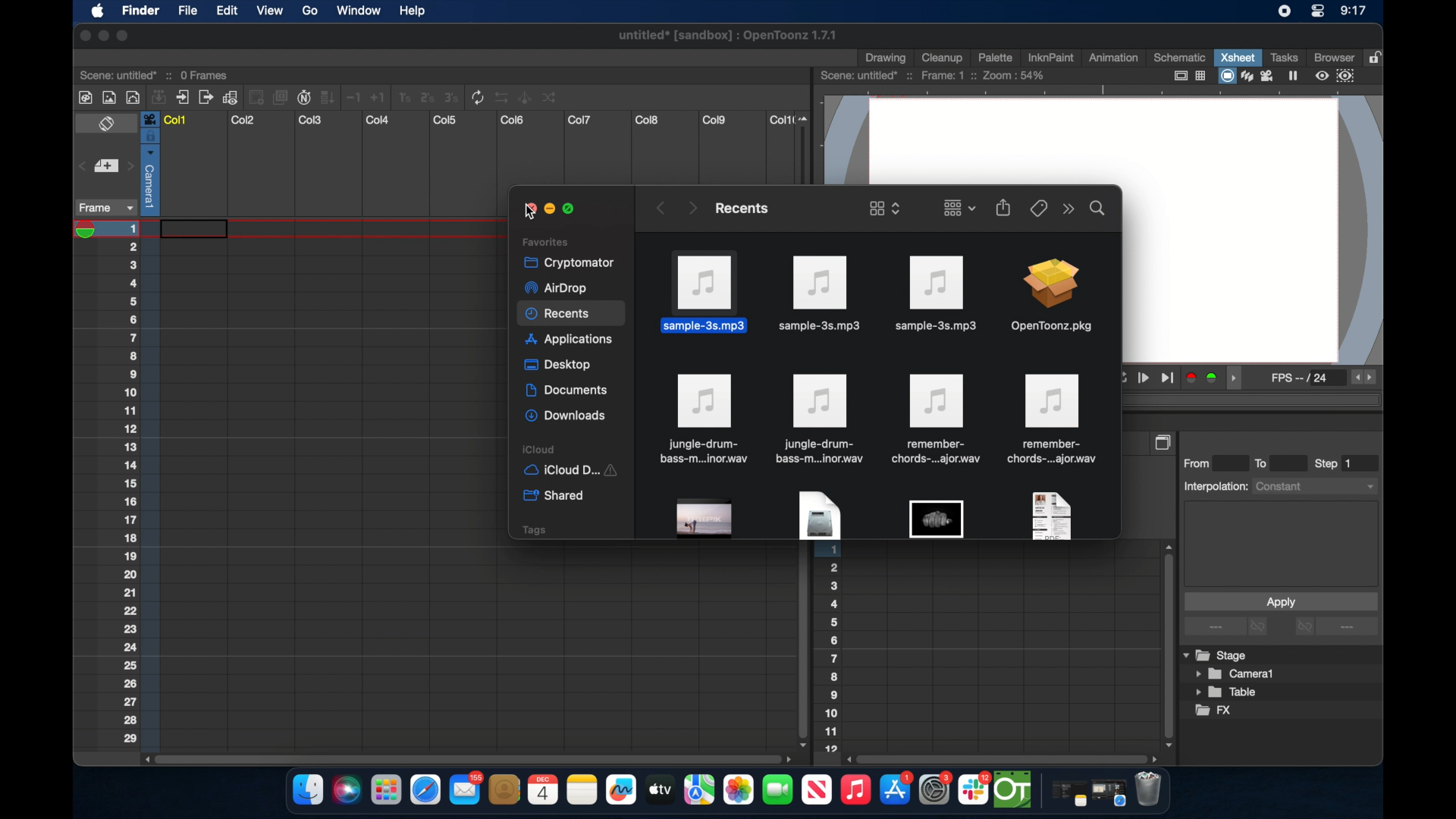  I want to click on window, so click(354, 11).